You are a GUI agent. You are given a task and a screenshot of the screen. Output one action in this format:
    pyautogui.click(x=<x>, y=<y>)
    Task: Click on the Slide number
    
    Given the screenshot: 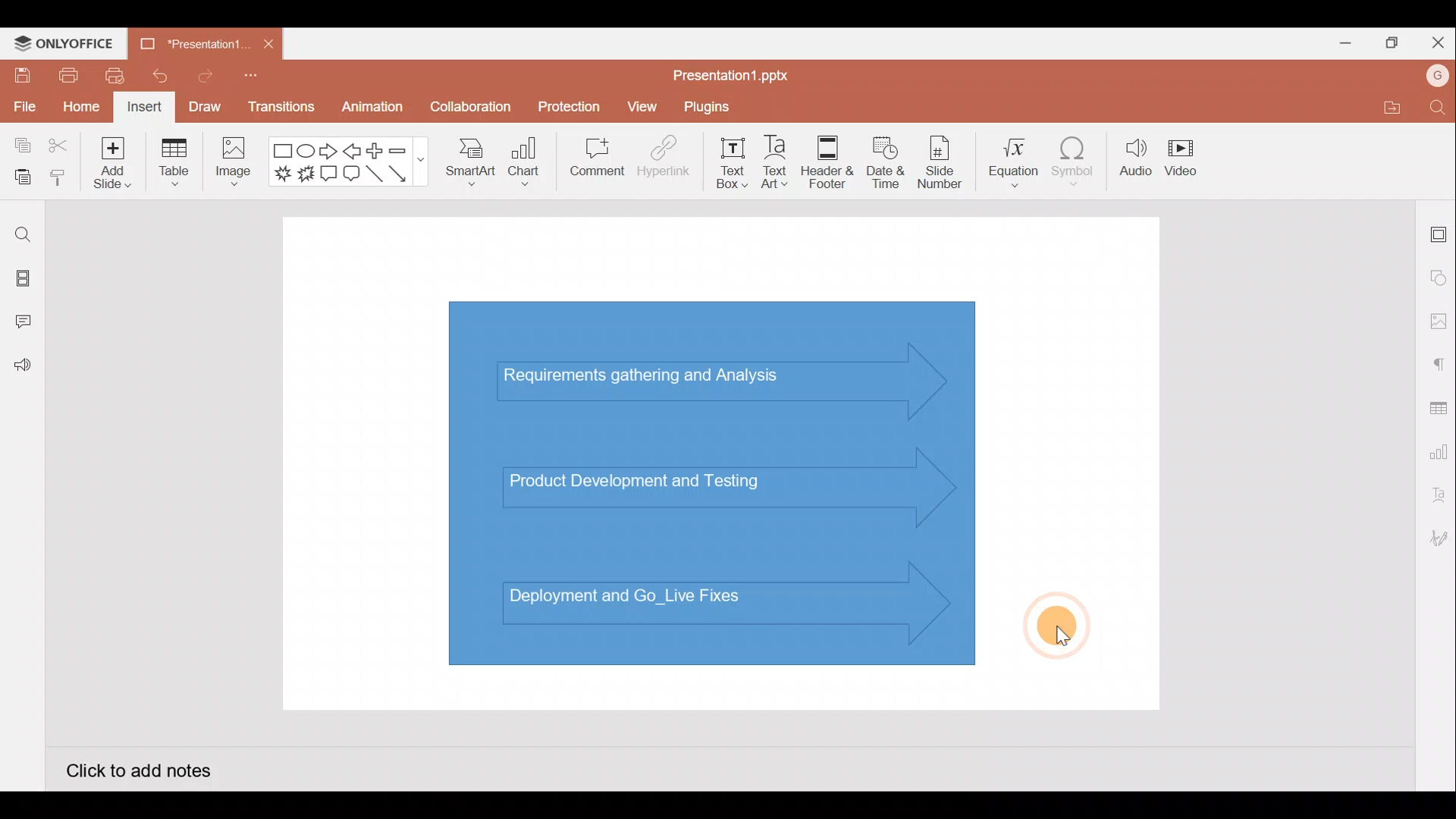 What is the action you would take?
    pyautogui.click(x=939, y=162)
    